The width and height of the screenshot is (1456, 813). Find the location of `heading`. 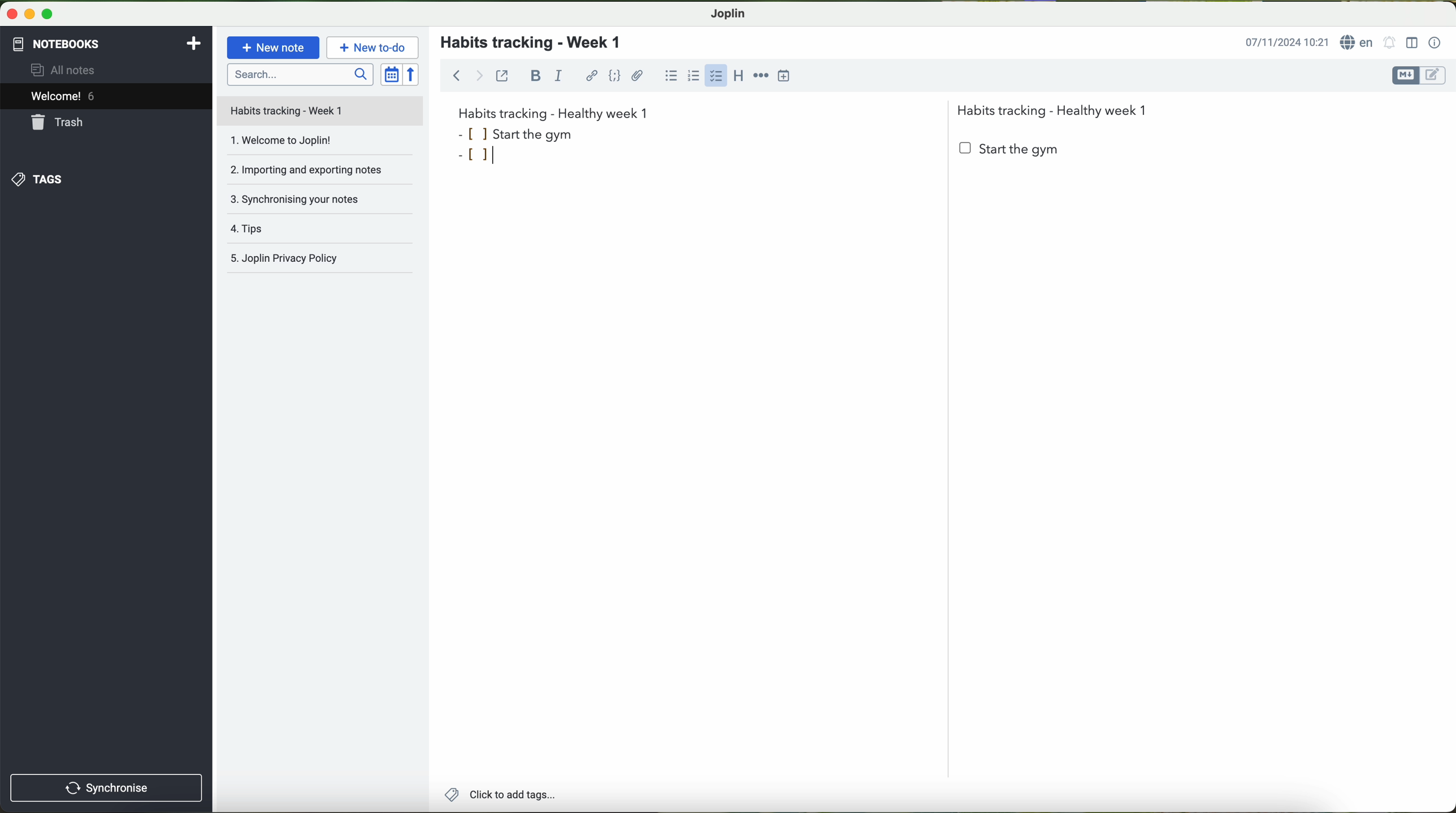

heading is located at coordinates (740, 79).